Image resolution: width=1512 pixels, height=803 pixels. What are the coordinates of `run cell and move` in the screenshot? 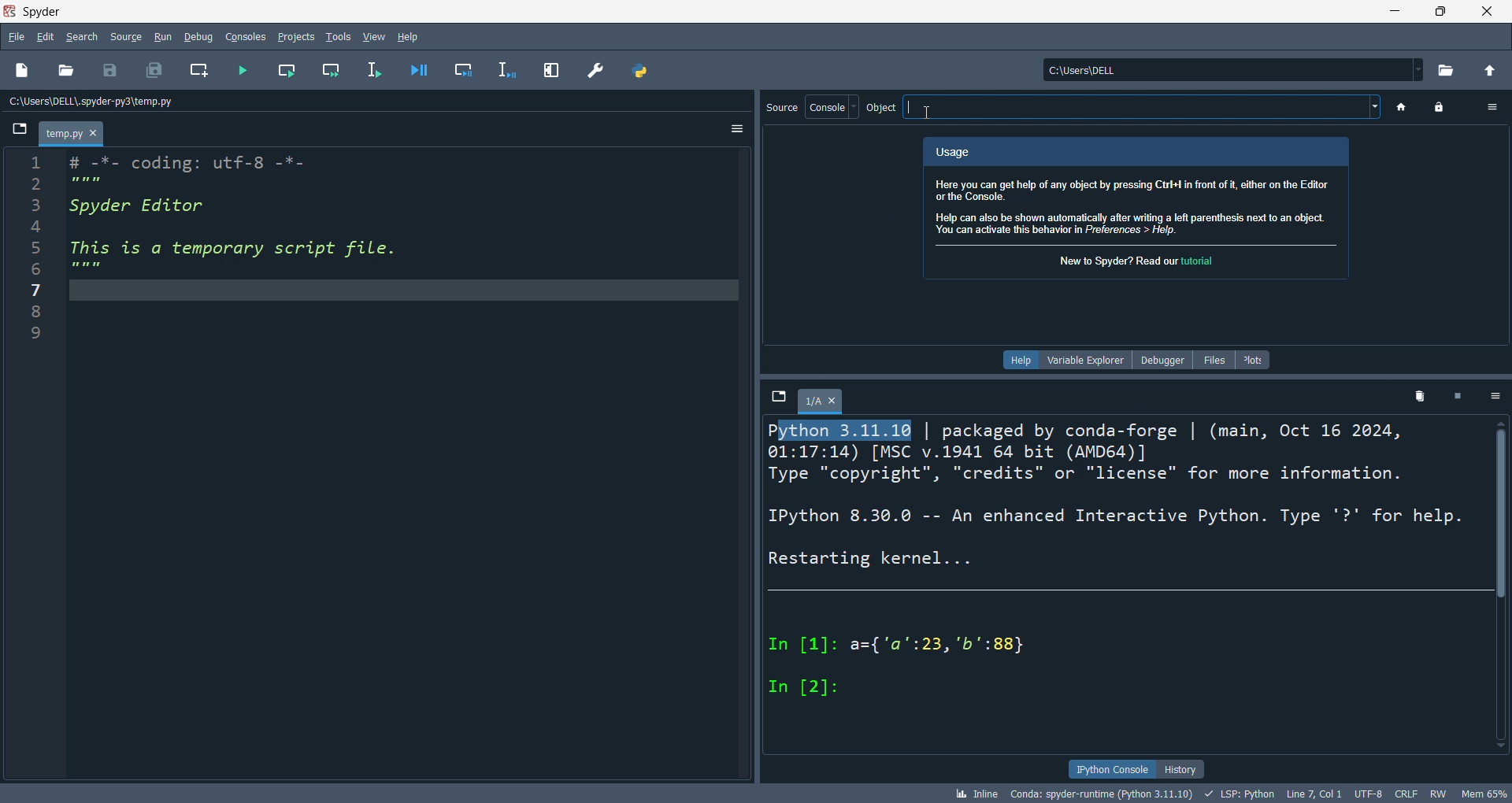 It's located at (329, 71).